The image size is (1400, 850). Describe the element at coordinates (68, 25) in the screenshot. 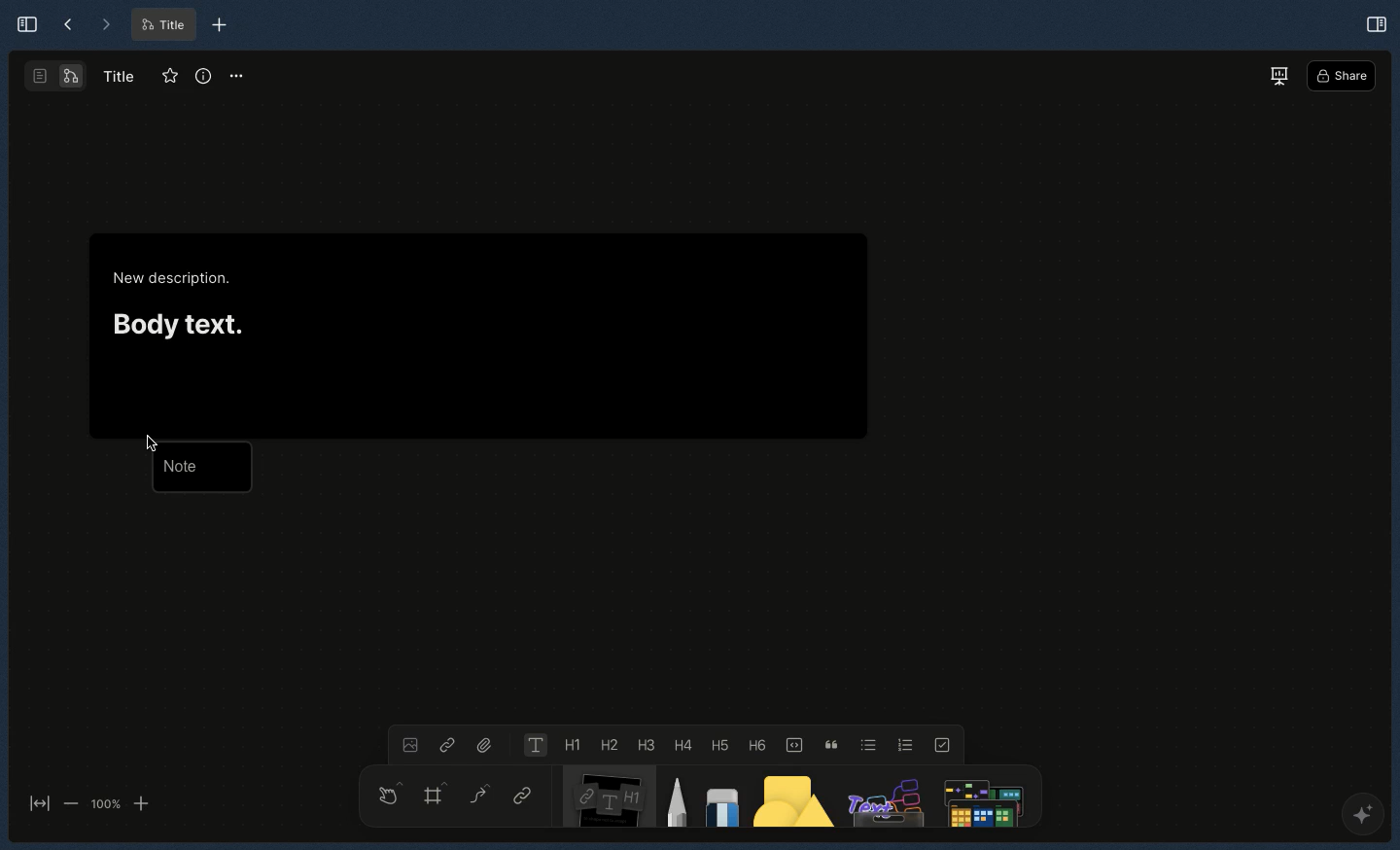

I see `Back` at that location.